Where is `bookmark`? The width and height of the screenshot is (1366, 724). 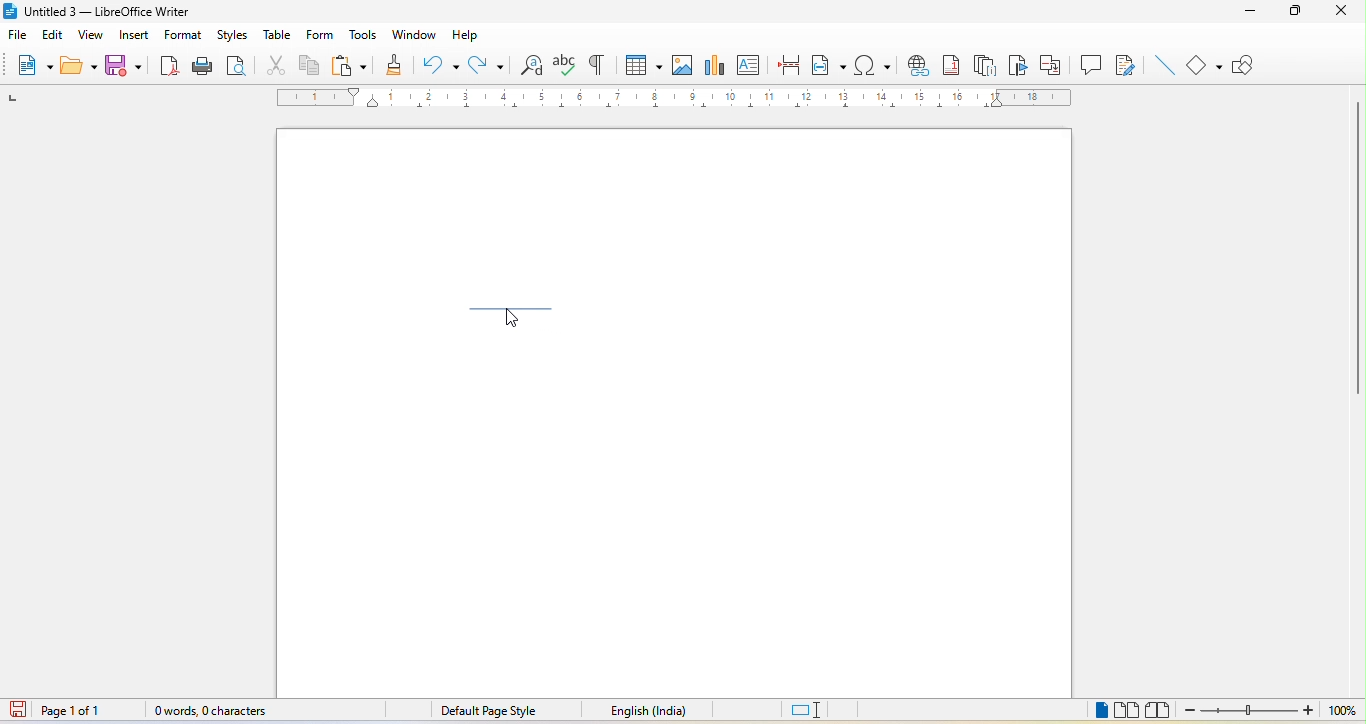 bookmark is located at coordinates (1015, 62).